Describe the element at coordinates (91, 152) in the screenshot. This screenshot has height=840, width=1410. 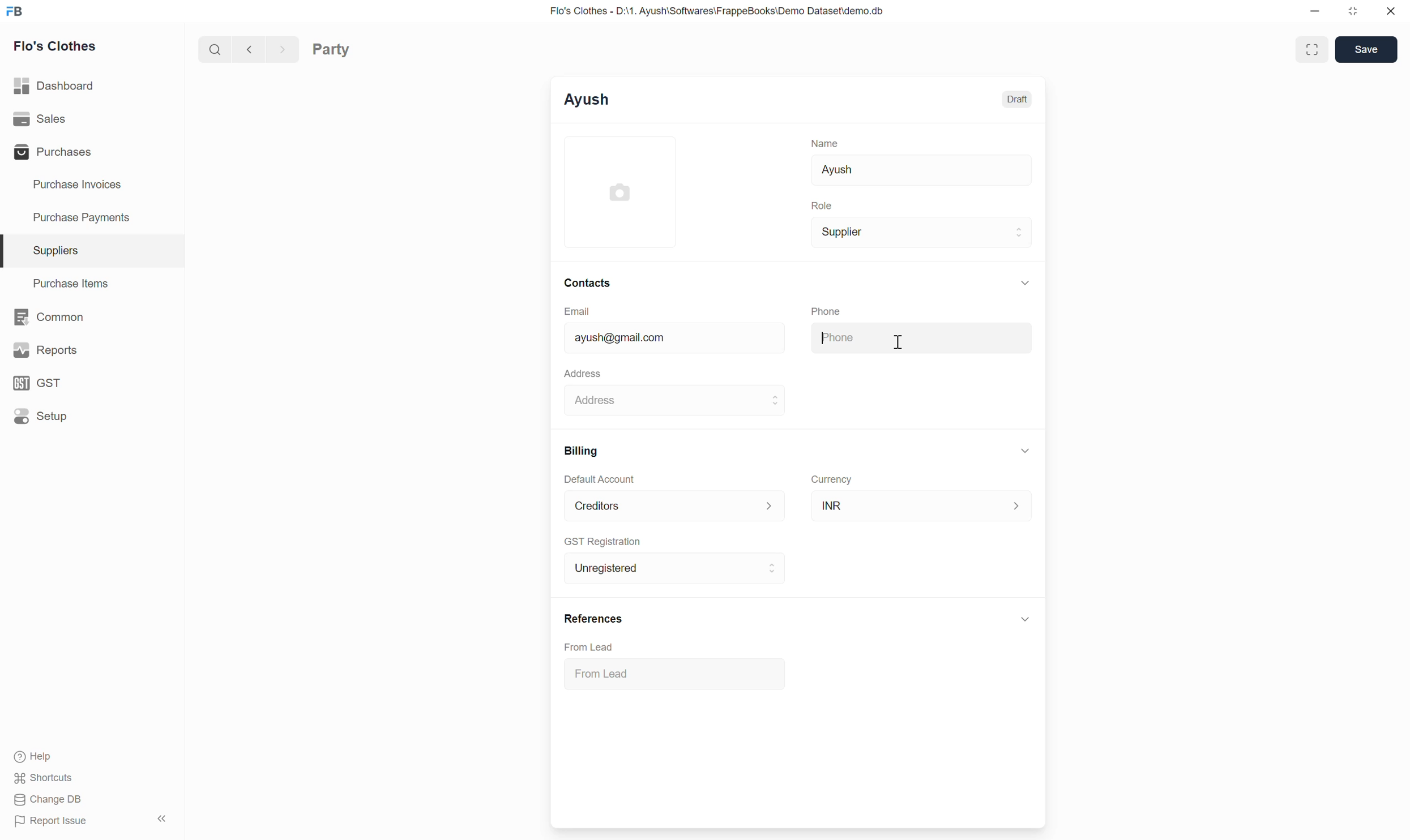
I see `Purchases` at that location.